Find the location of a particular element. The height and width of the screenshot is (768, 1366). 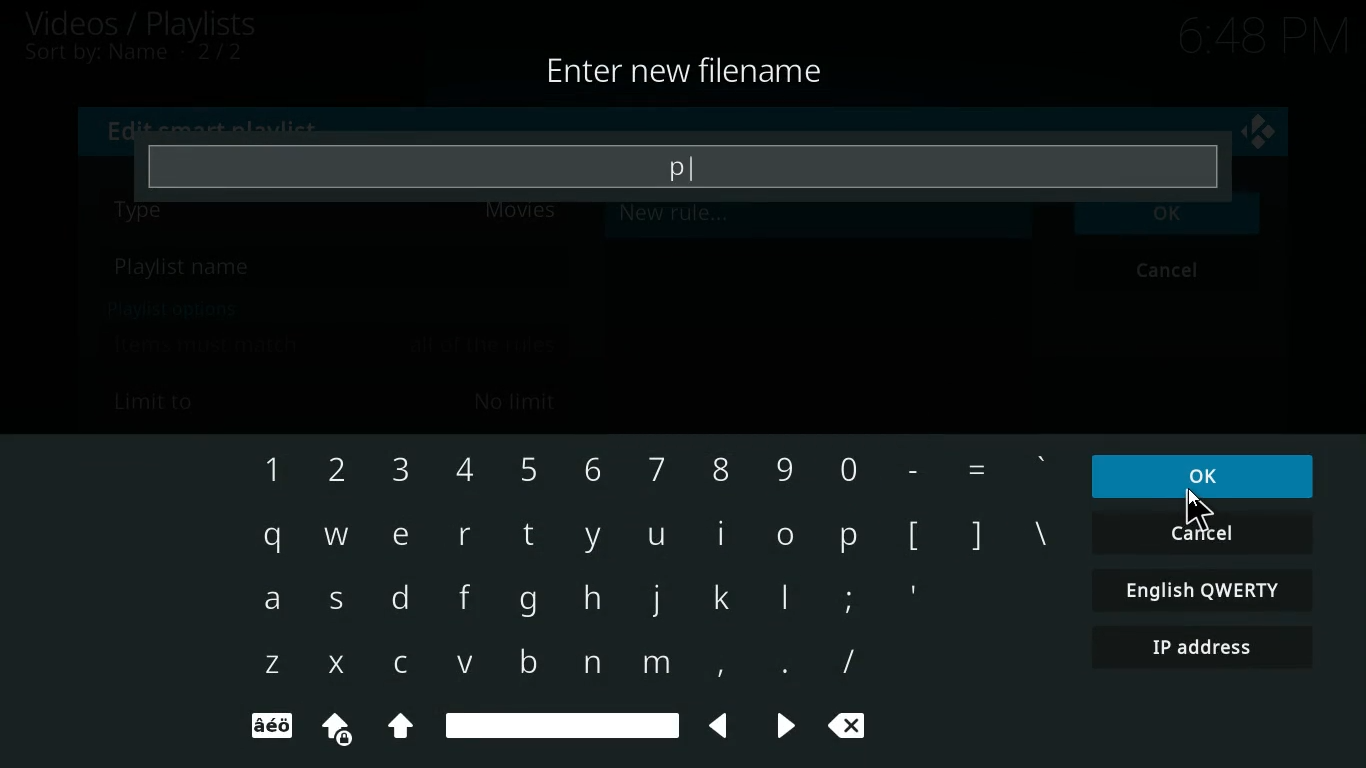

= is located at coordinates (975, 470).